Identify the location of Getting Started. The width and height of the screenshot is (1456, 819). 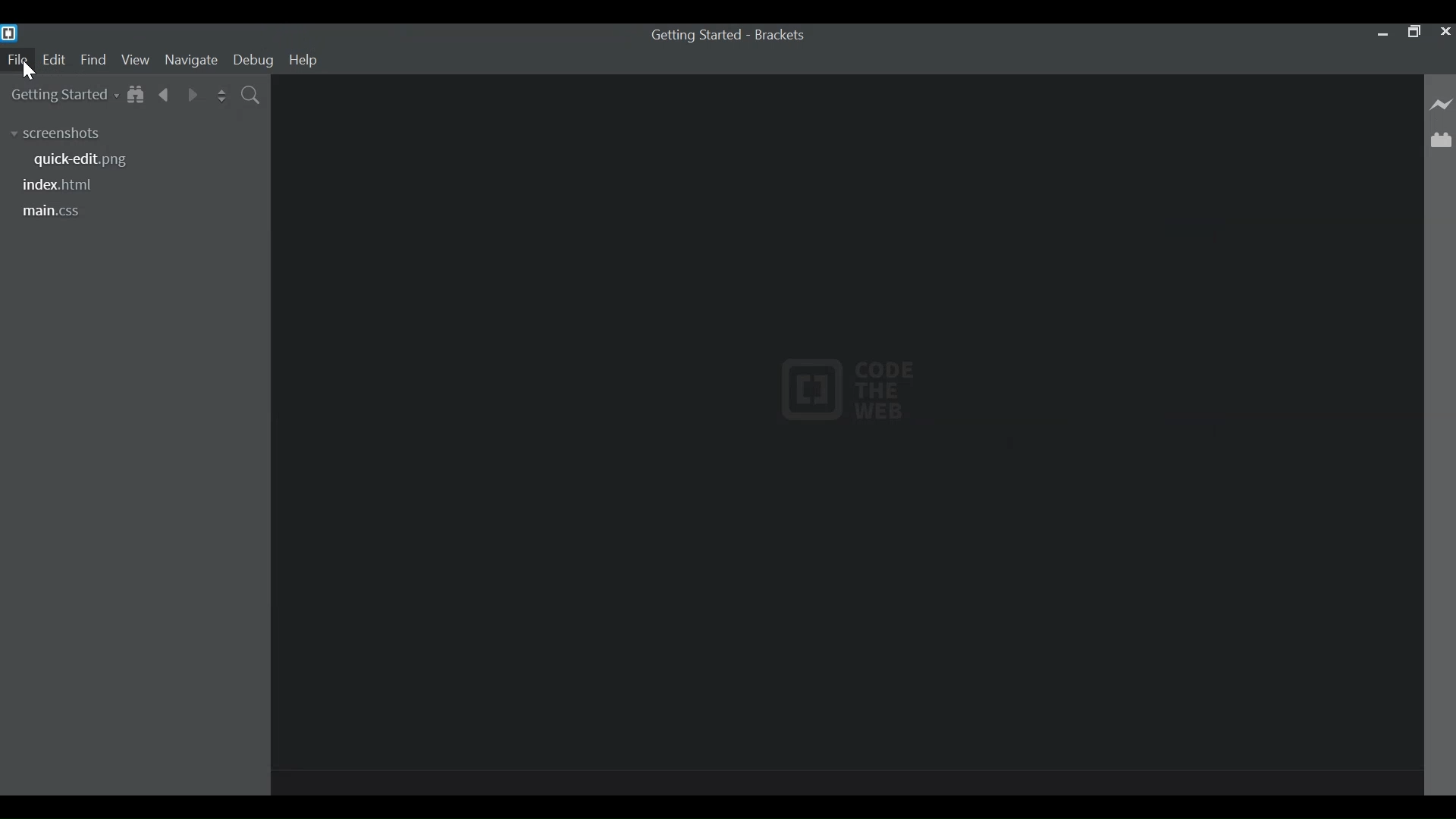
(695, 35).